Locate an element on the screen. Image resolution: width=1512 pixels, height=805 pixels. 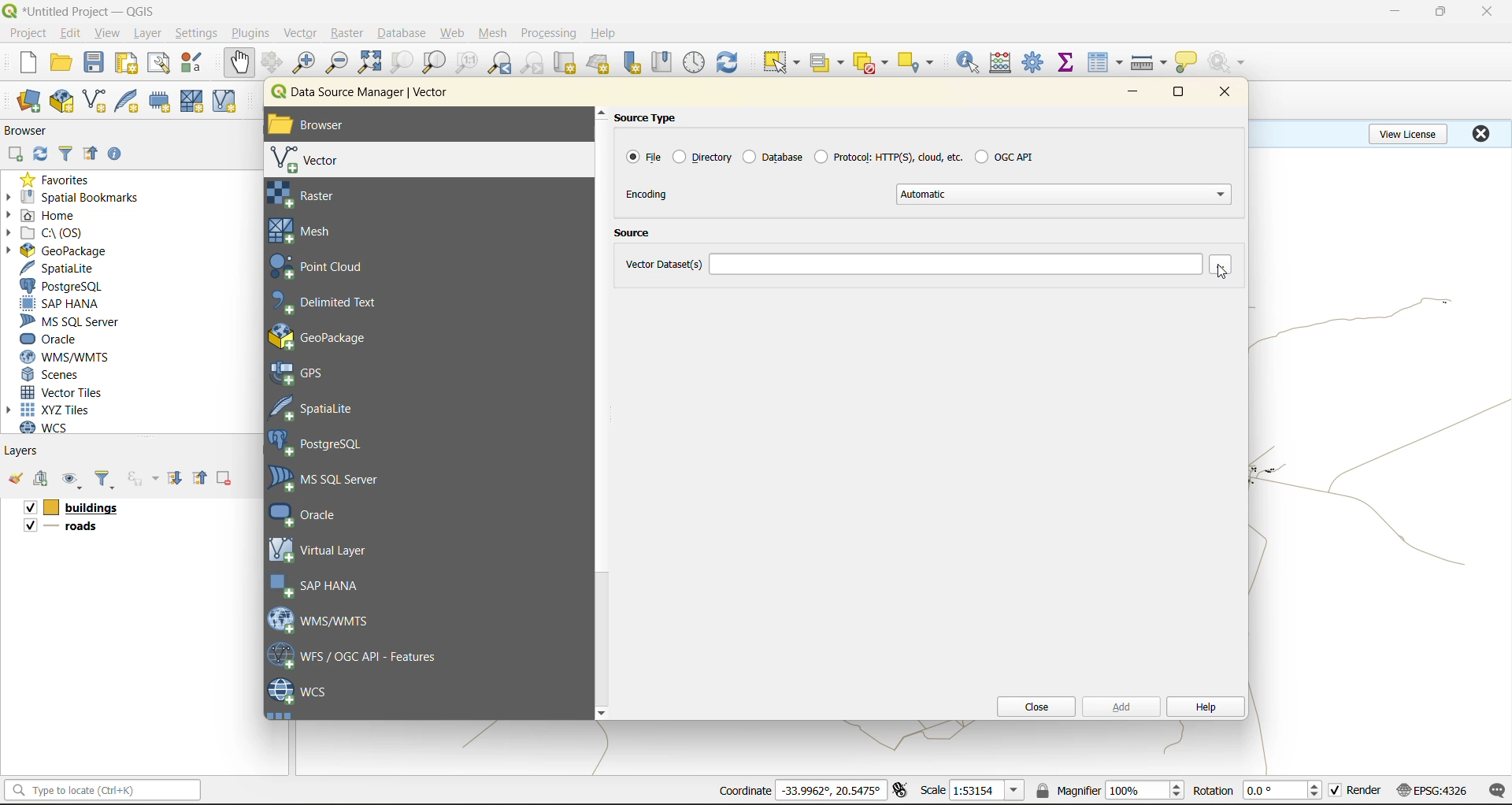
layers is located at coordinates (88, 508).